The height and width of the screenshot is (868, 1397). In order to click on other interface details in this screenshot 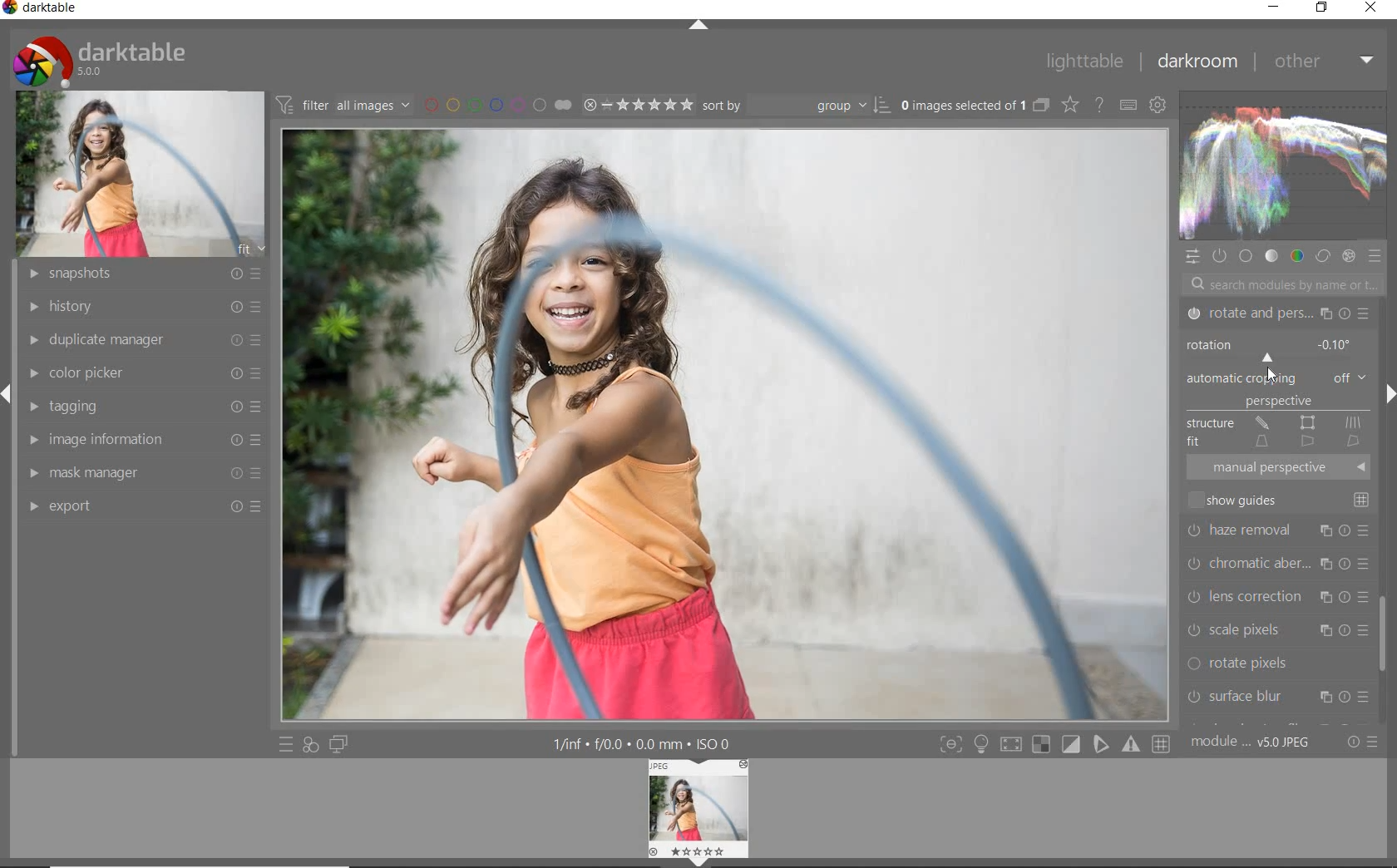, I will do `click(638, 744)`.